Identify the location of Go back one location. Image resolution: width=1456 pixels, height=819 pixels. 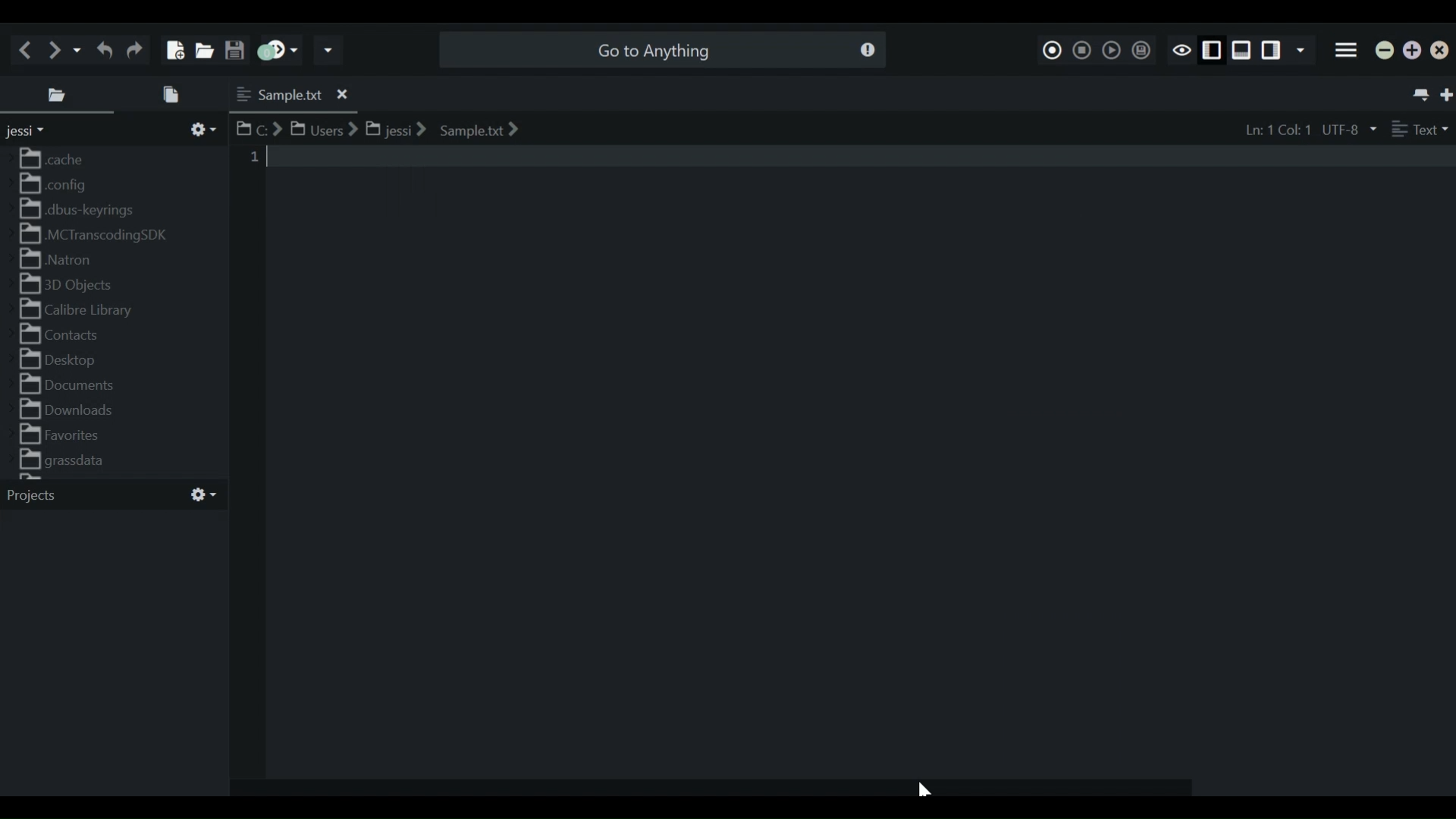
(26, 49).